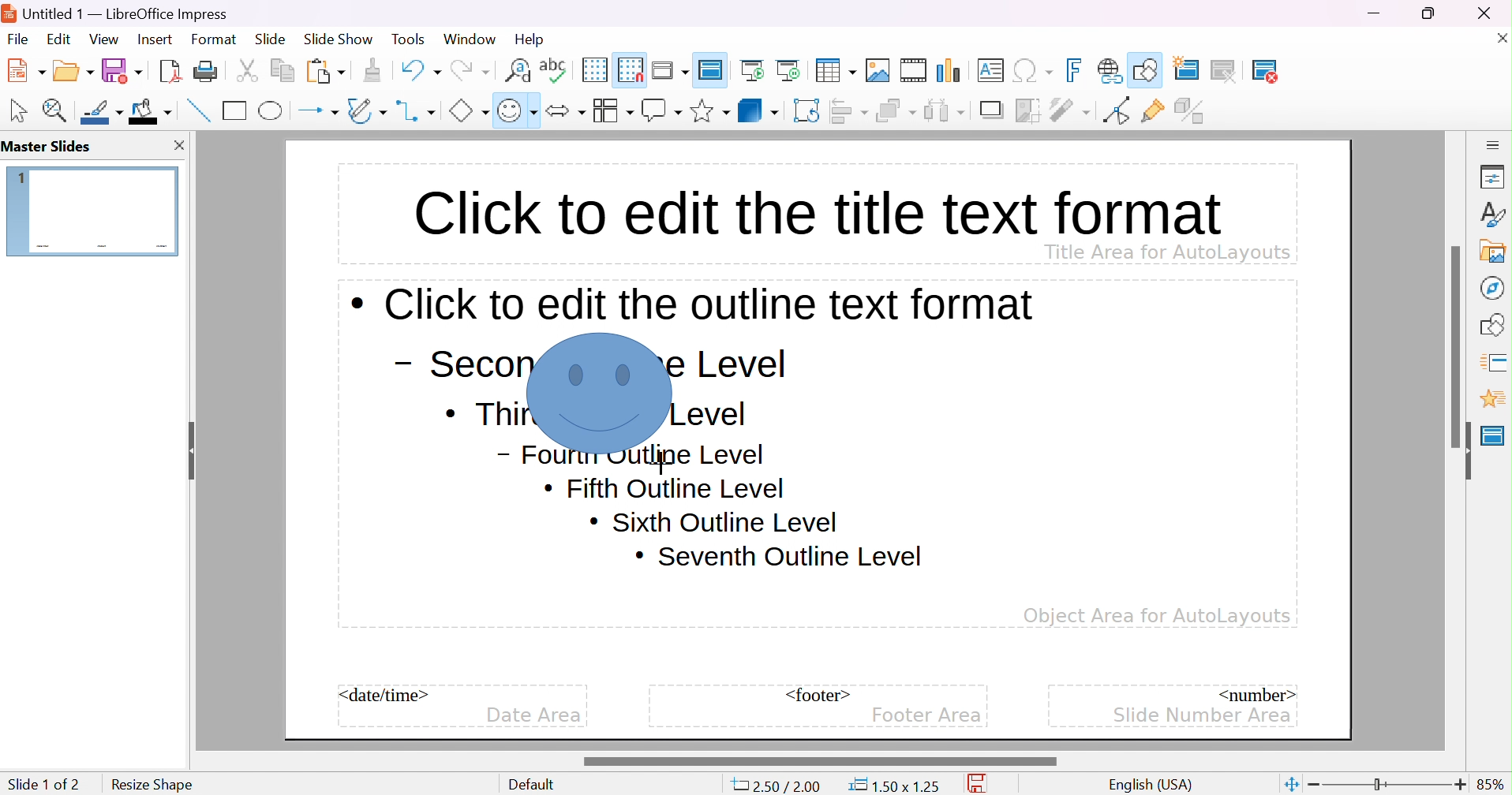 This screenshot has height=795, width=1512. I want to click on 85%, so click(1491, 784).